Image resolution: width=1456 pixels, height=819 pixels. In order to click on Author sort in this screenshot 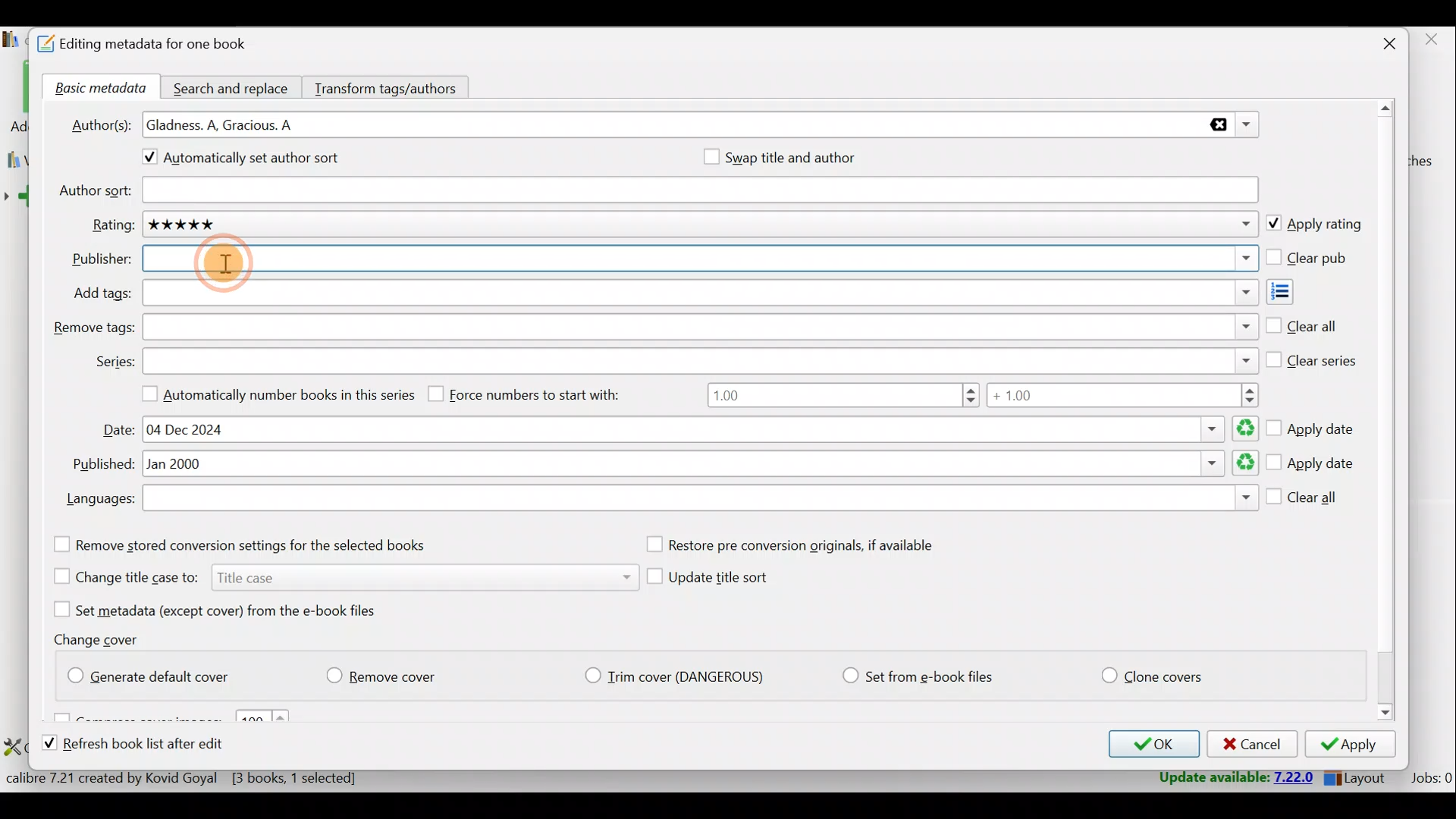, I will do `click(699, 191)`.